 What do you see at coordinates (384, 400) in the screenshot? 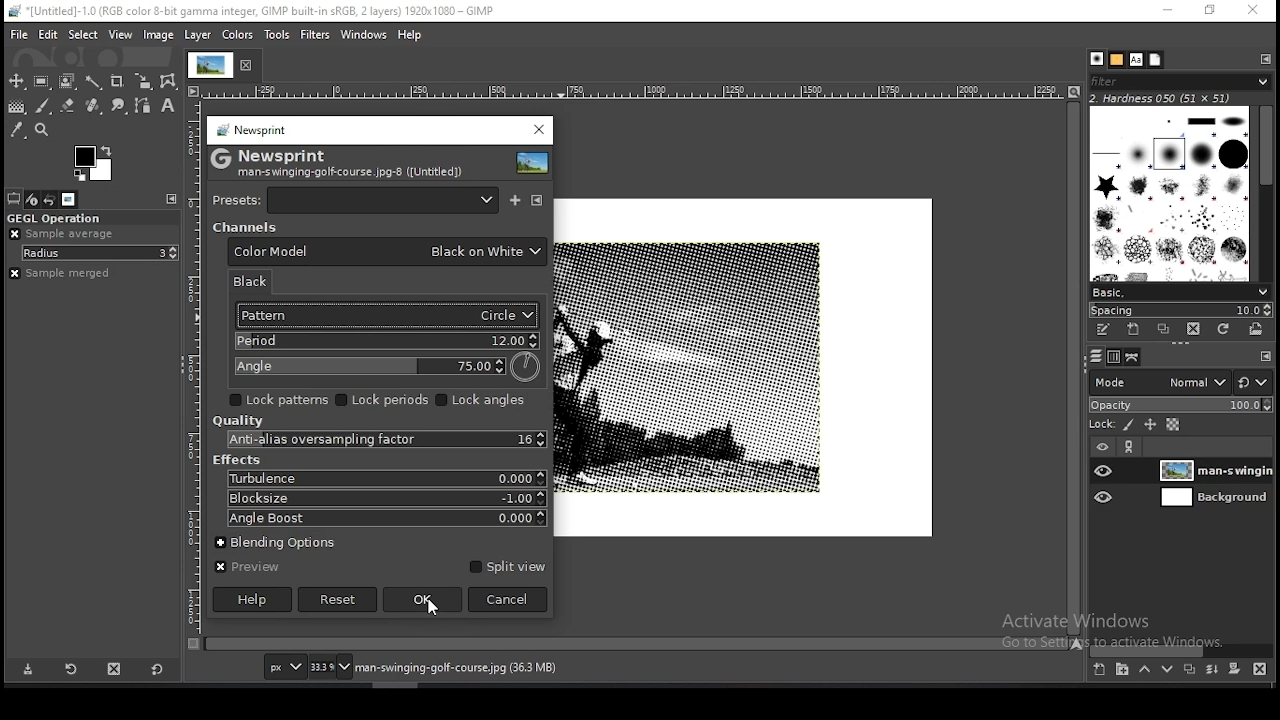
I see `lock periods on/off` at bounding box center [384, 400].